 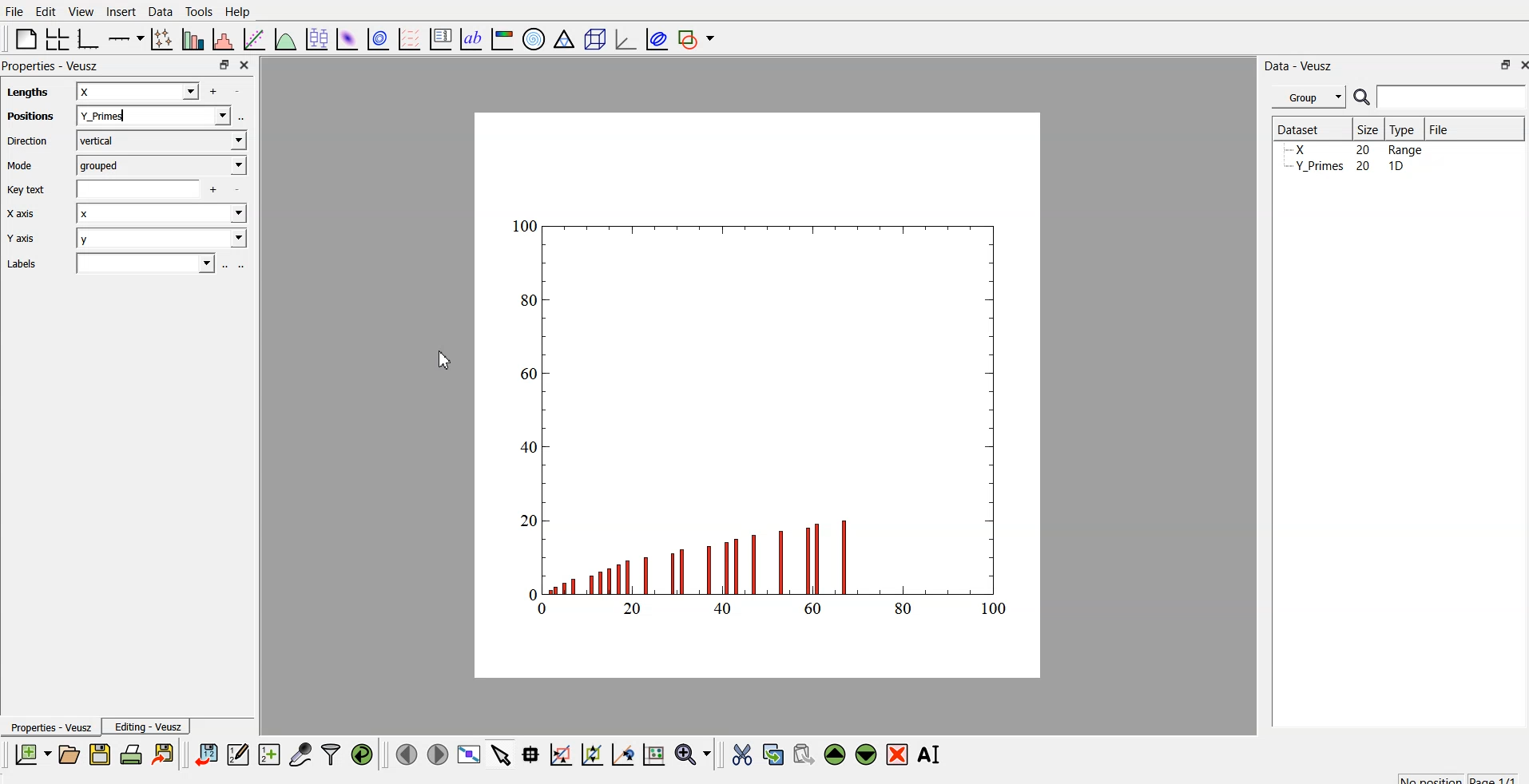 I want to click on plot points, so click(x=158, y=38).